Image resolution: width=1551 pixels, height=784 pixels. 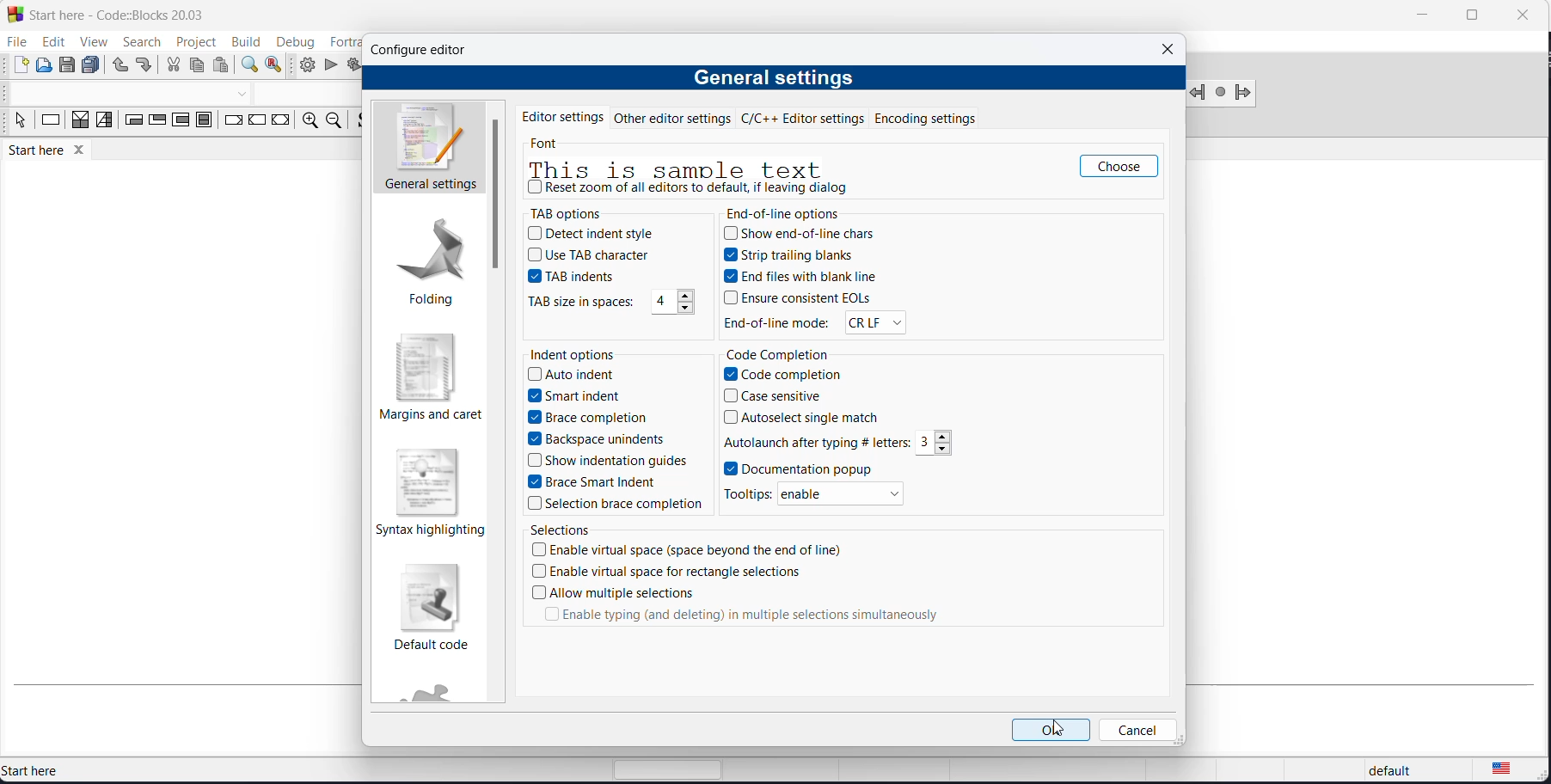 What do you see at coordinates (248, 65) in the screenshot?
I see `find` at bounding box center [248, 65].